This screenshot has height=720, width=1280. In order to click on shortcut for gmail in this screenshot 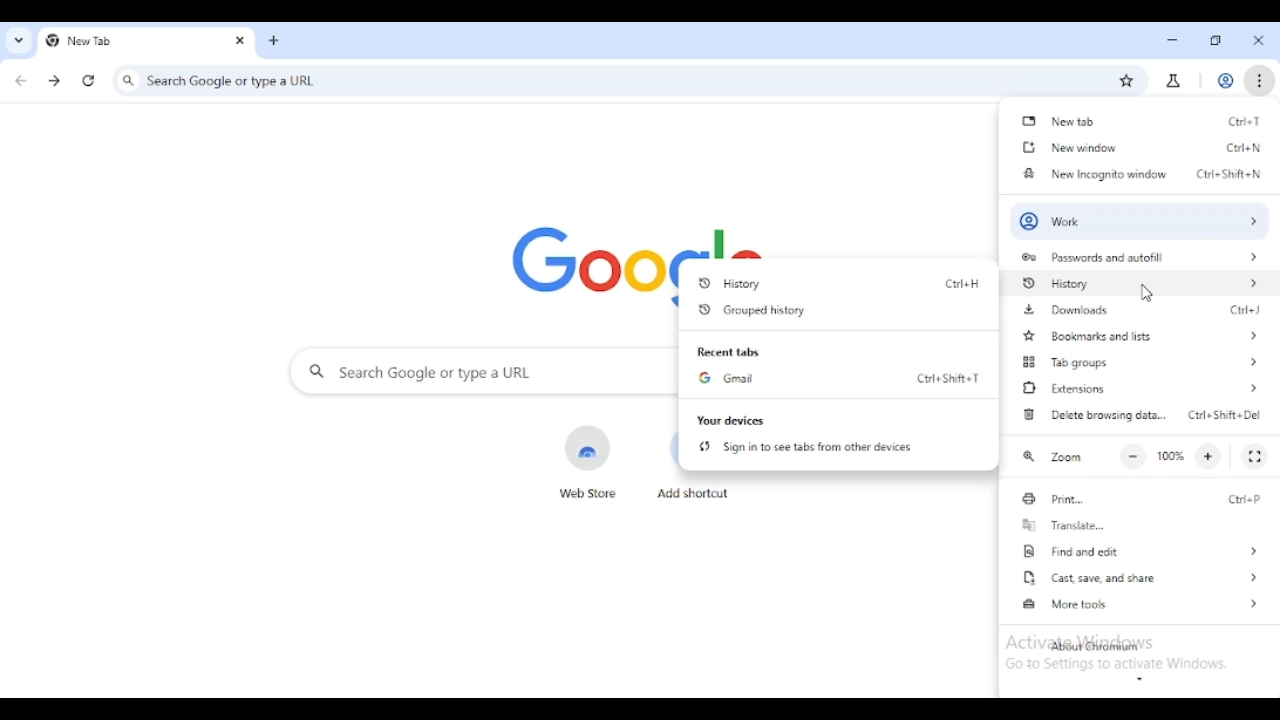, I will do `click(946, 377)`.